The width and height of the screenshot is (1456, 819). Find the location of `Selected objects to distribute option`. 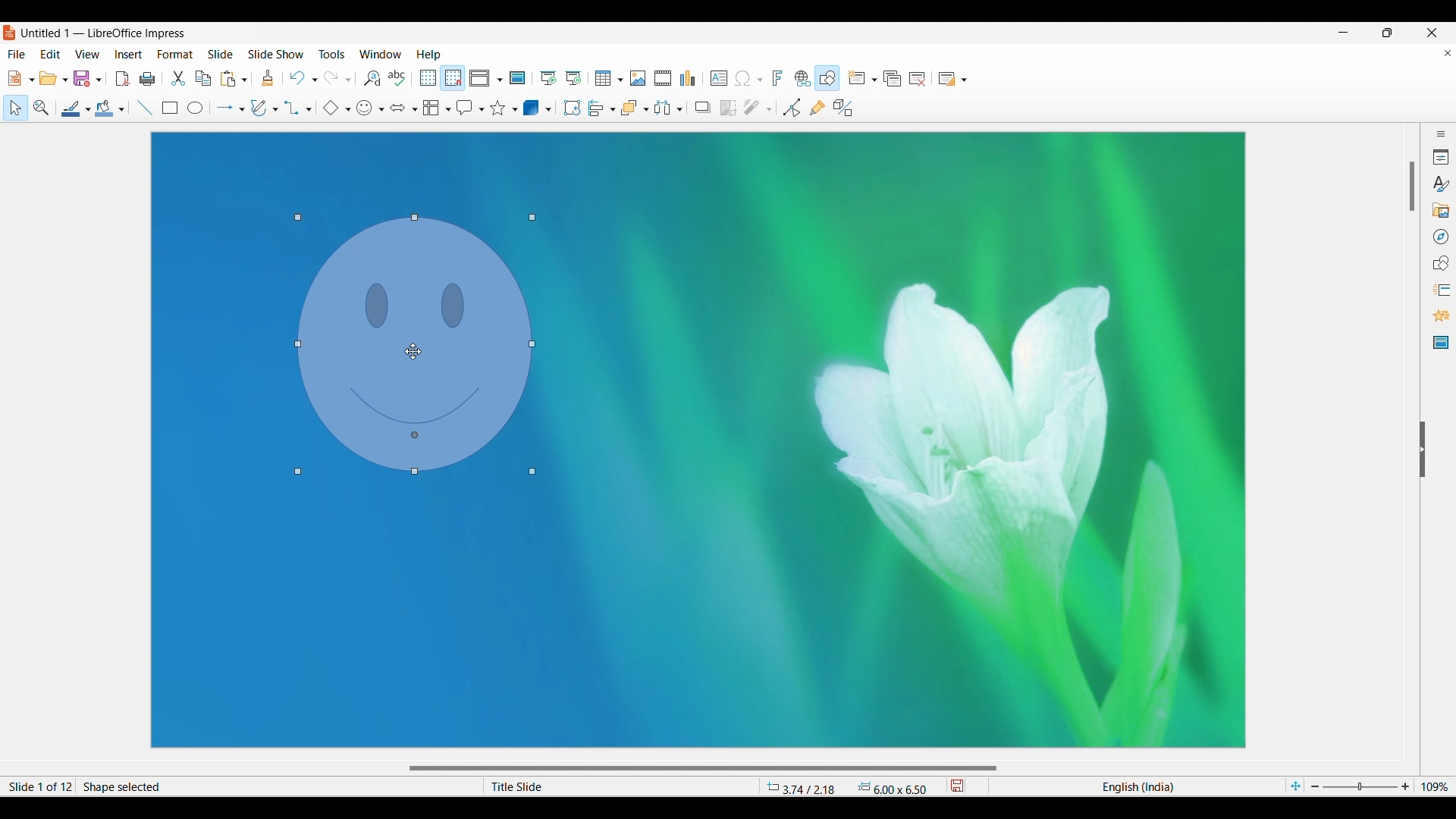

Selected objects to distribute option is located at coordinates (664, 108).